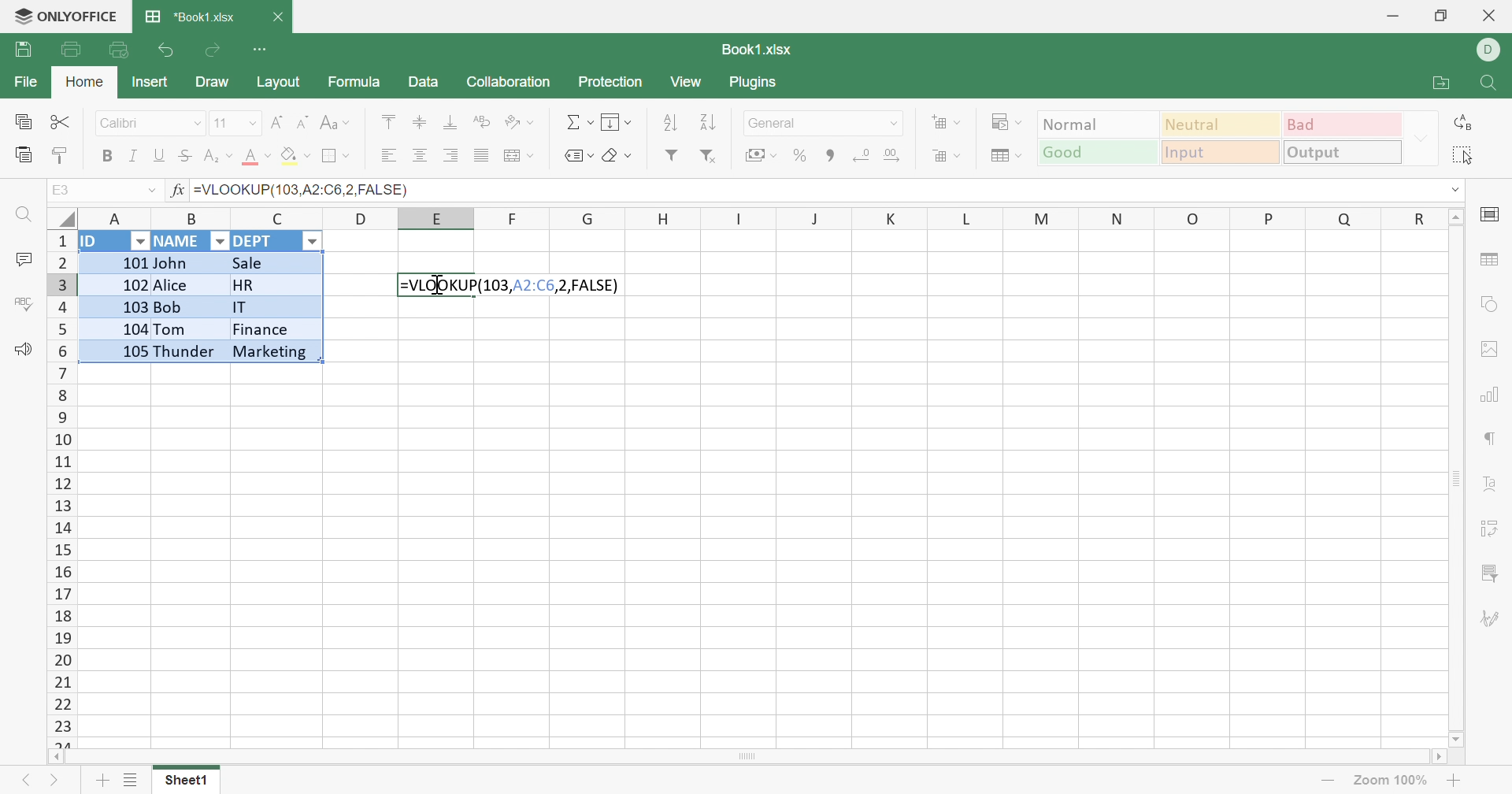 The height and width of the screenshot is (794, 1512). I want to click on Drop Down, so click(197, 121).